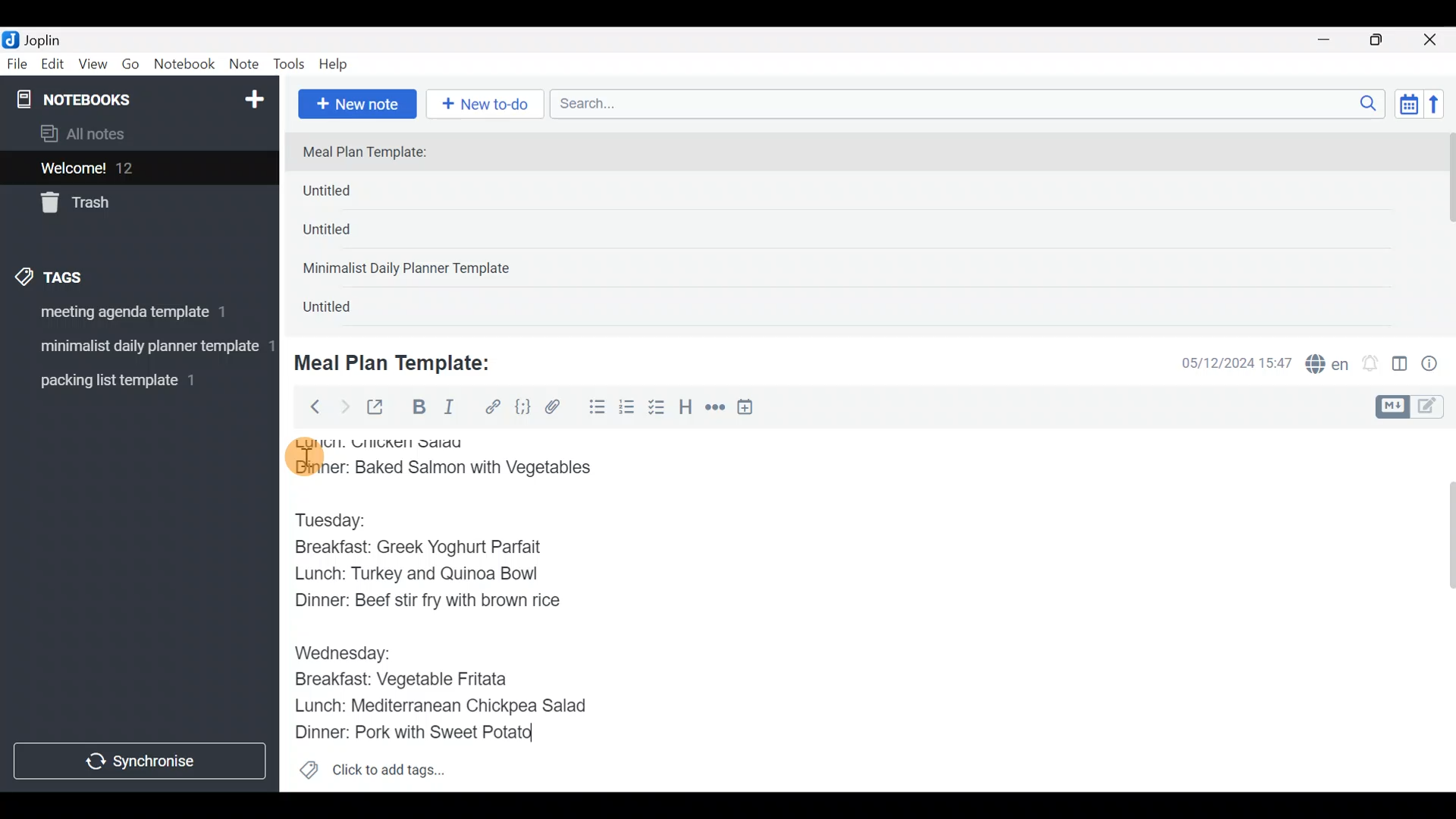  I want to click on Note, so click(247, 65).